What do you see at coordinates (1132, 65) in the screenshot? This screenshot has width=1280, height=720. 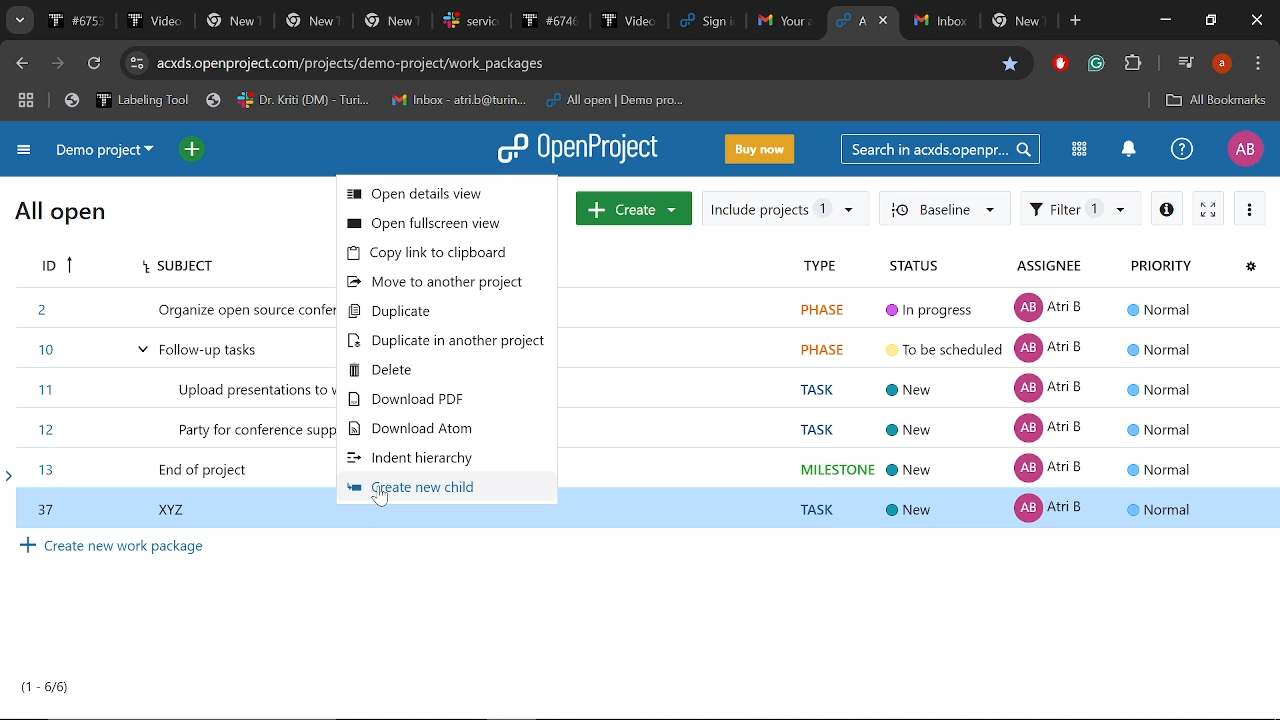 I see `extensions` at bounding box center [1132, 65].